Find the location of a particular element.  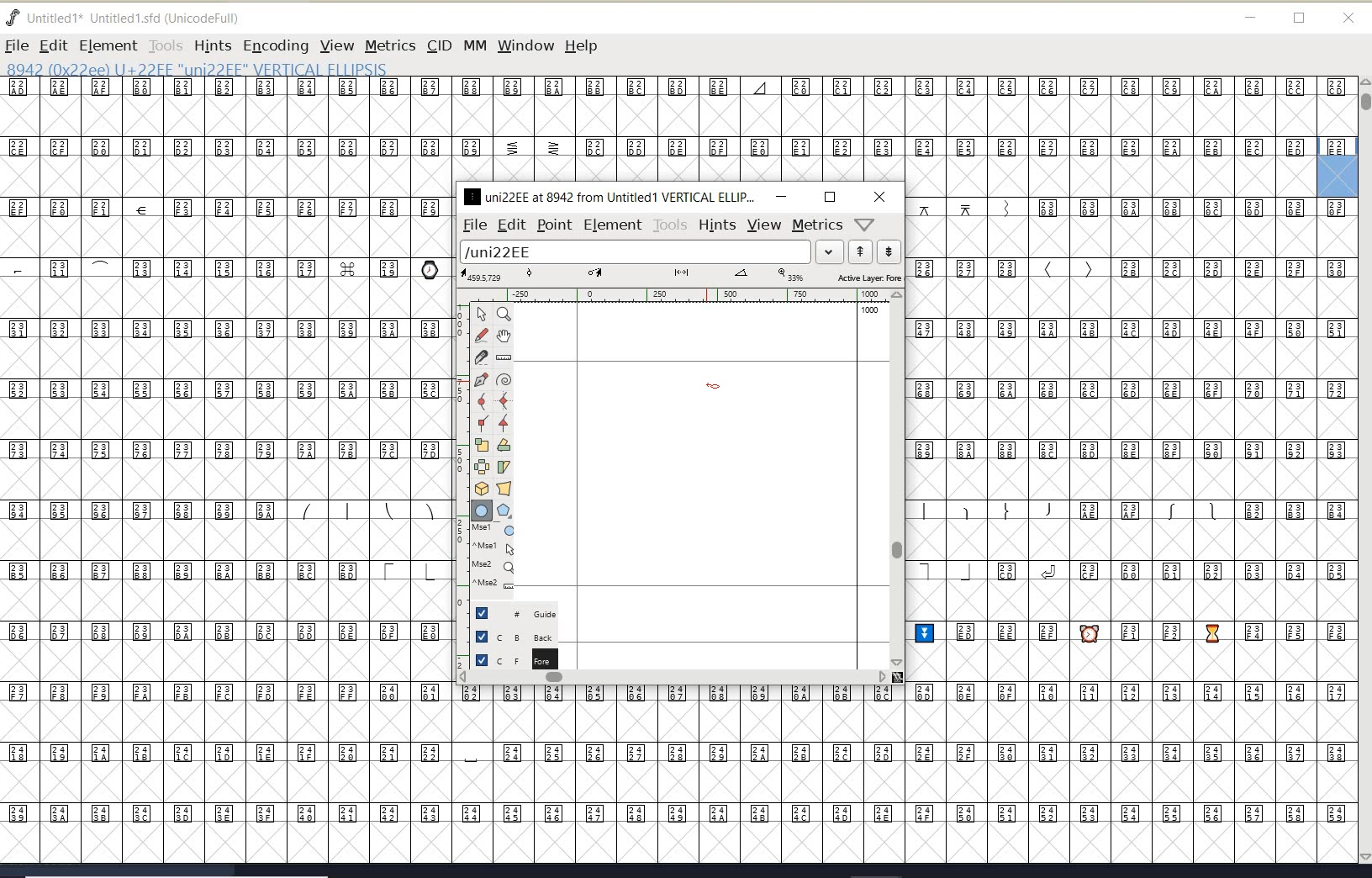

GLYPHY CHARACTERS & NUMBERS is located at coordinates (455, 773).